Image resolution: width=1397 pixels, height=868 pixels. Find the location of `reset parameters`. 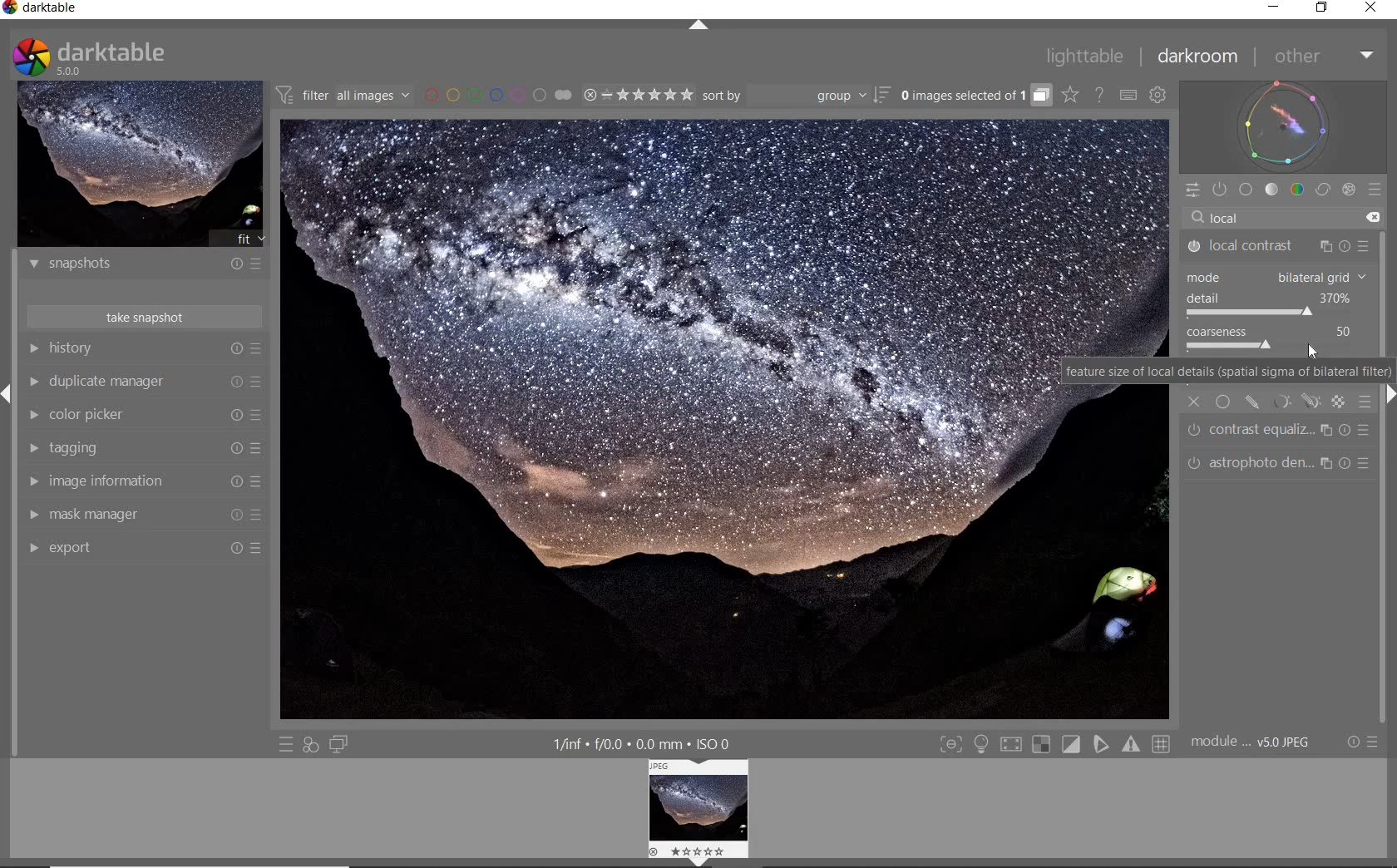

reset parameters is located at coordinates (1369, 463).